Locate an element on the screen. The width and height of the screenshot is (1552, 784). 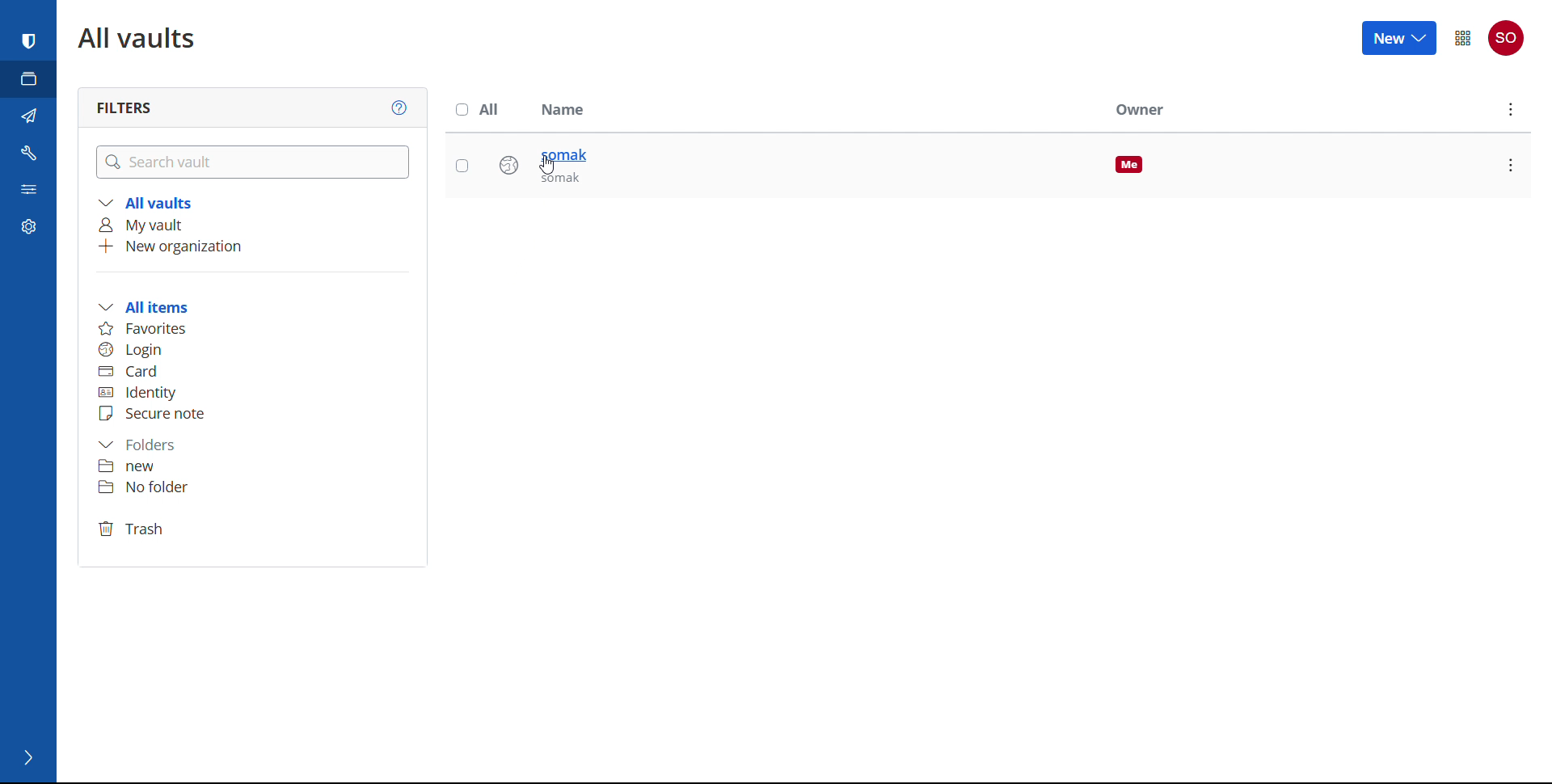
identity is located at coordinates (248, 393).